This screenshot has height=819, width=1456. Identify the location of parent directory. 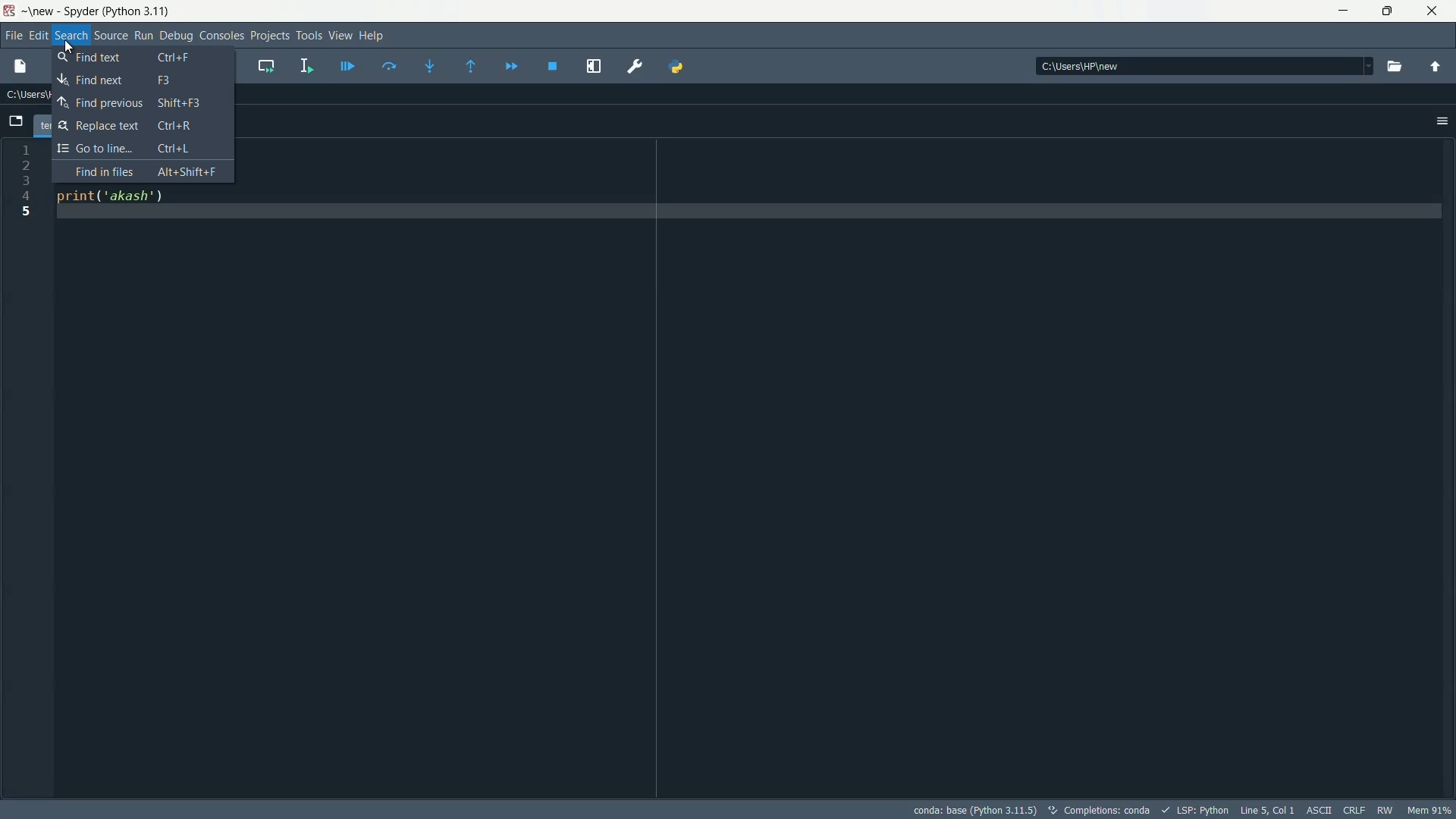
(1437, 65).